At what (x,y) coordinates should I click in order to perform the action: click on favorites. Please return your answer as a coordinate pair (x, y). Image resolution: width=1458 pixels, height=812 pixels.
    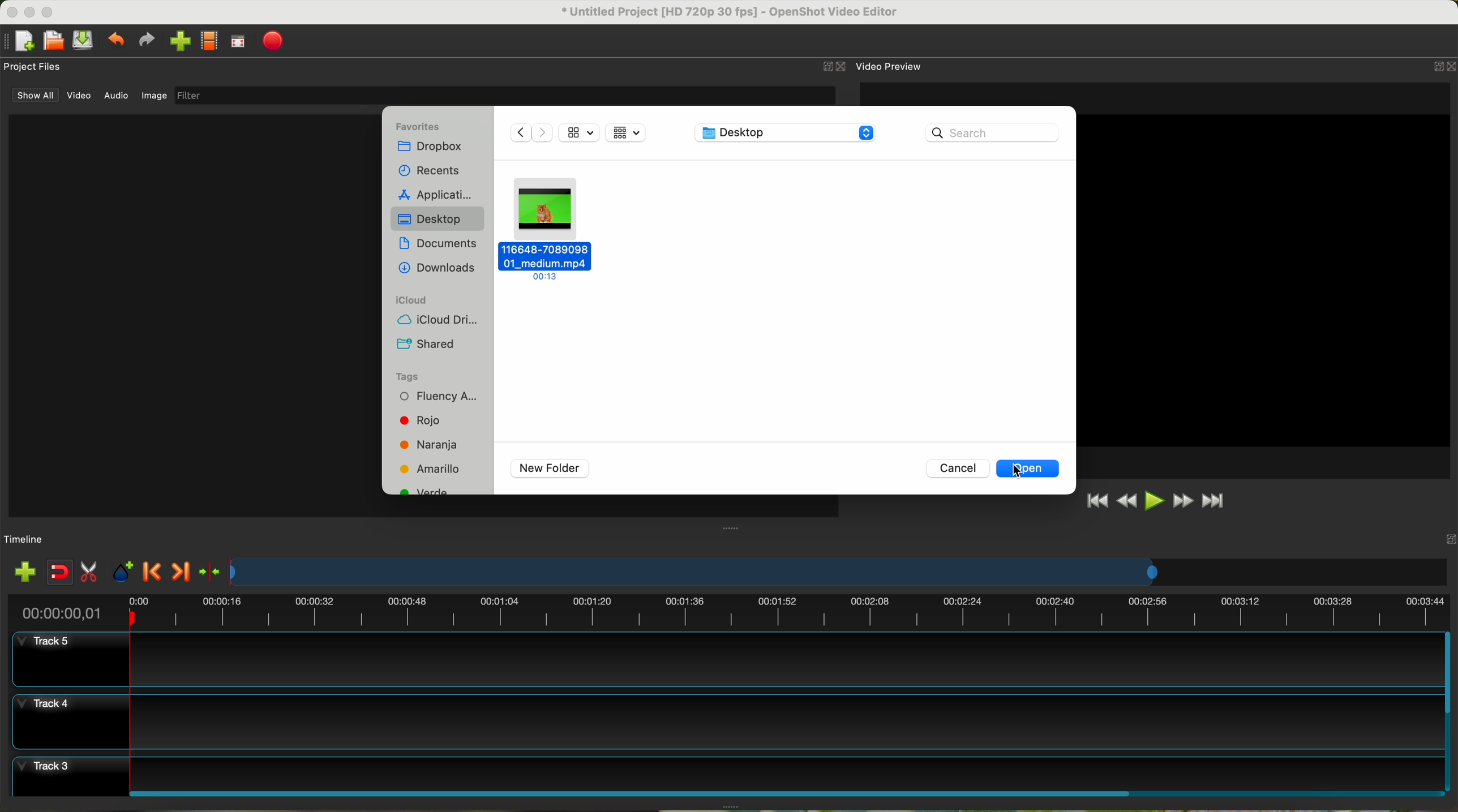
    Looking at the image, I should click on (419, 126).